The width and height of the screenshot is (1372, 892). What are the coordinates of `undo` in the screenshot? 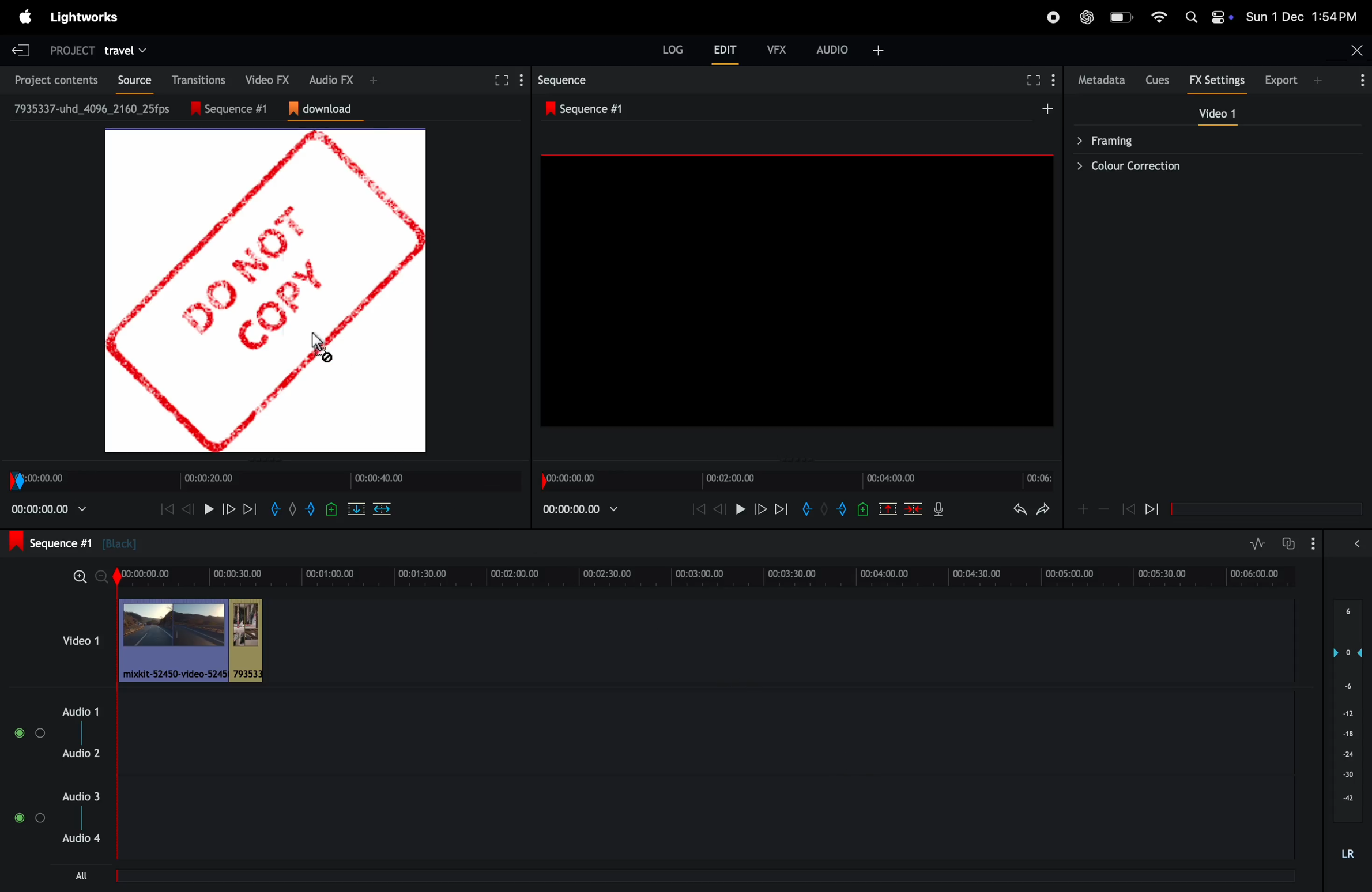 It's located at (1020, 509).